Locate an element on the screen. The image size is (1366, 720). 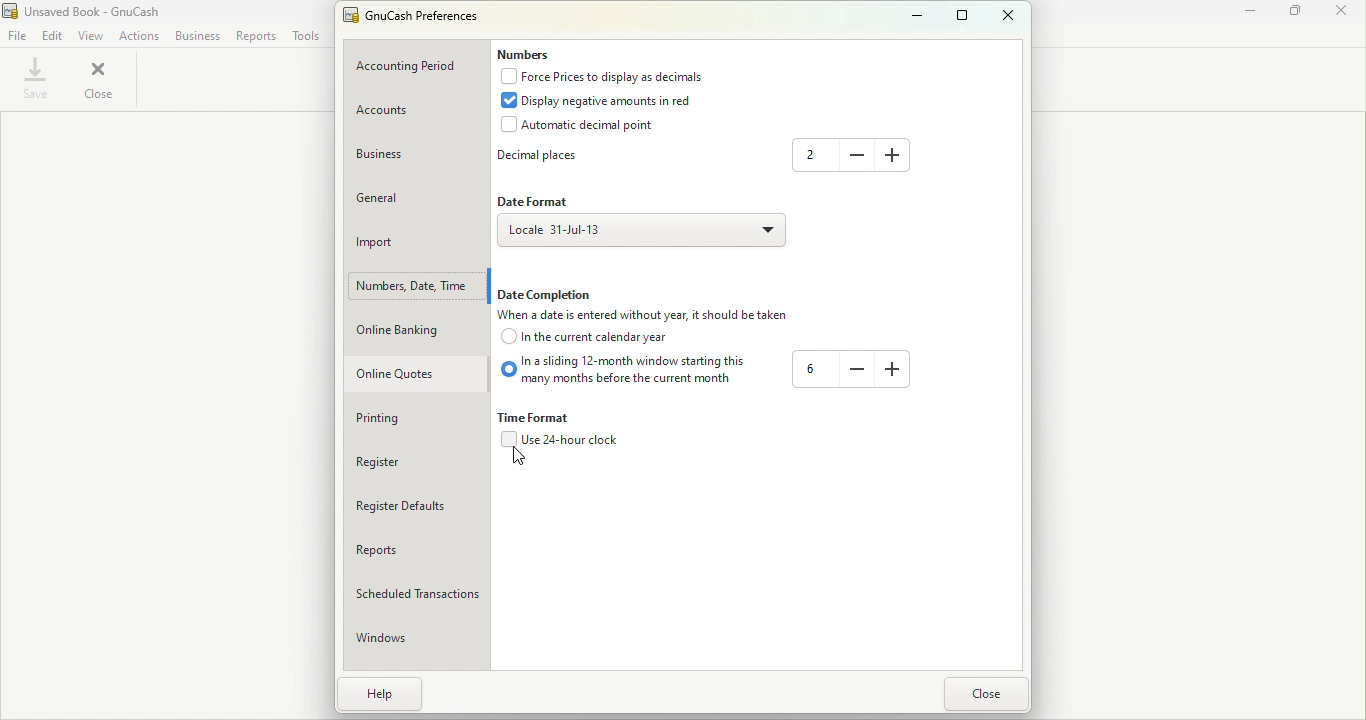
Account is located at coordinates (418, 111).